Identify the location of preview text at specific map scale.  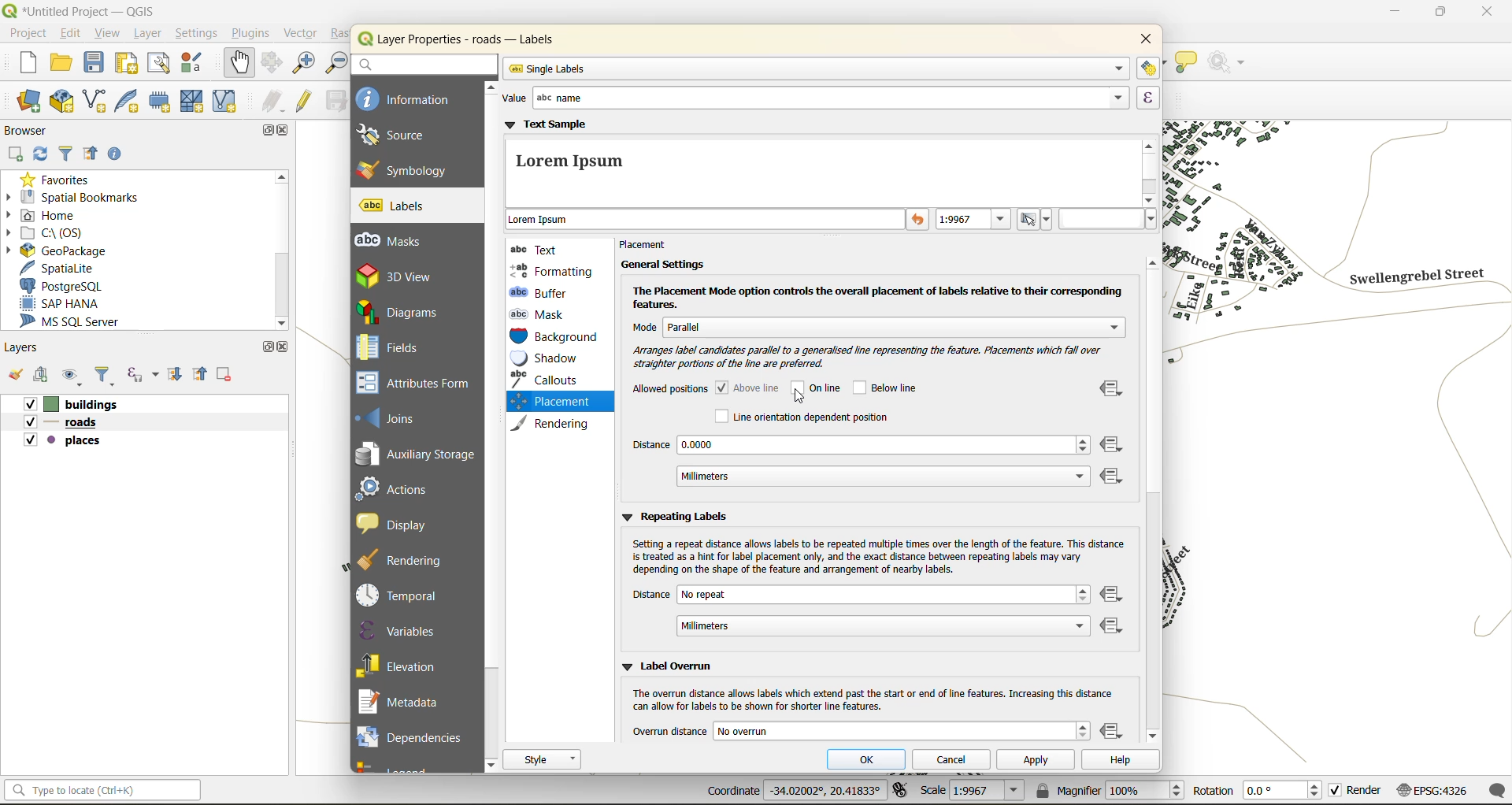
(975, 221).